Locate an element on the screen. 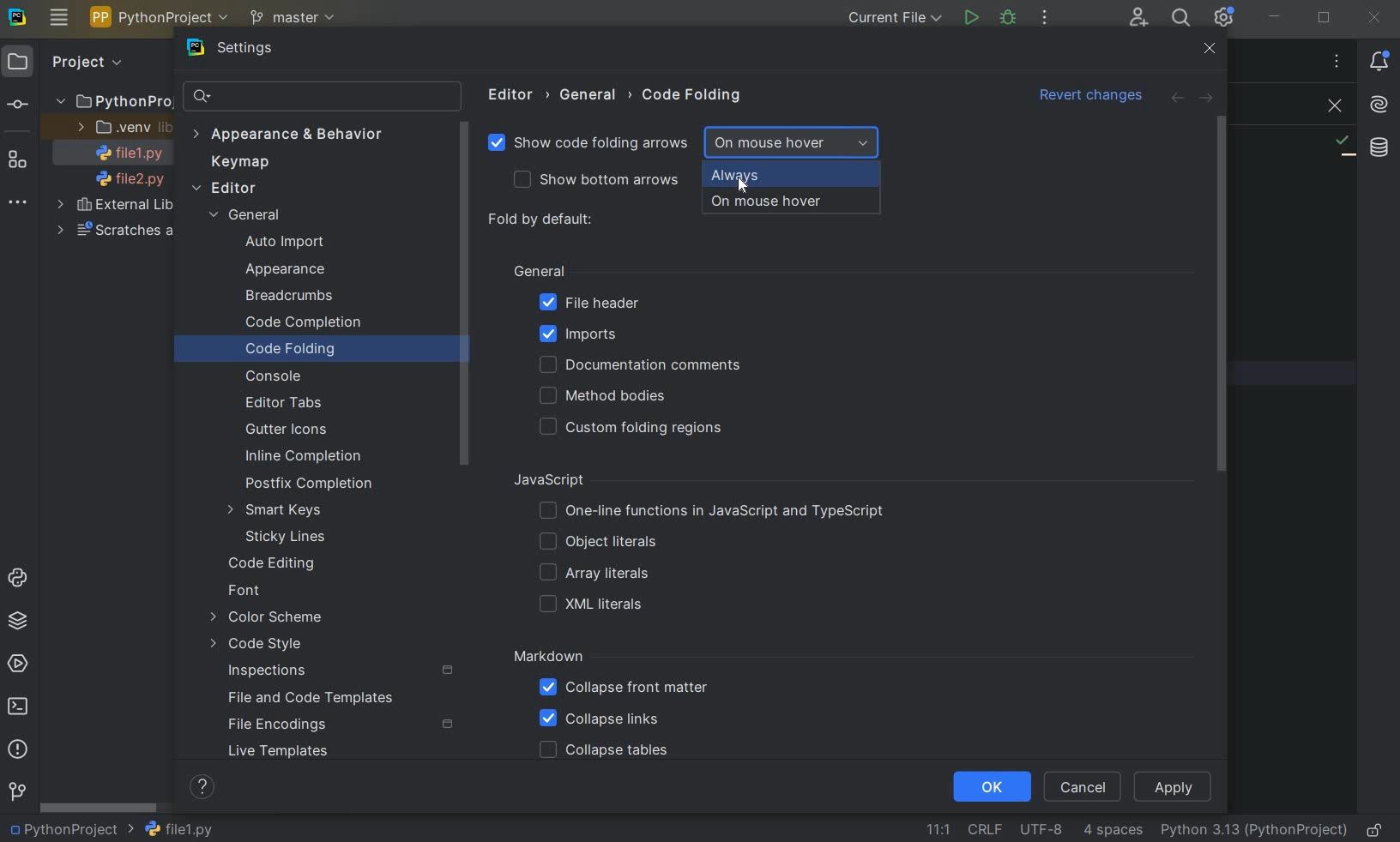 This screenshot has height=842, width=1400. OBJECT LITERALS is located at coordinates (594, 543).